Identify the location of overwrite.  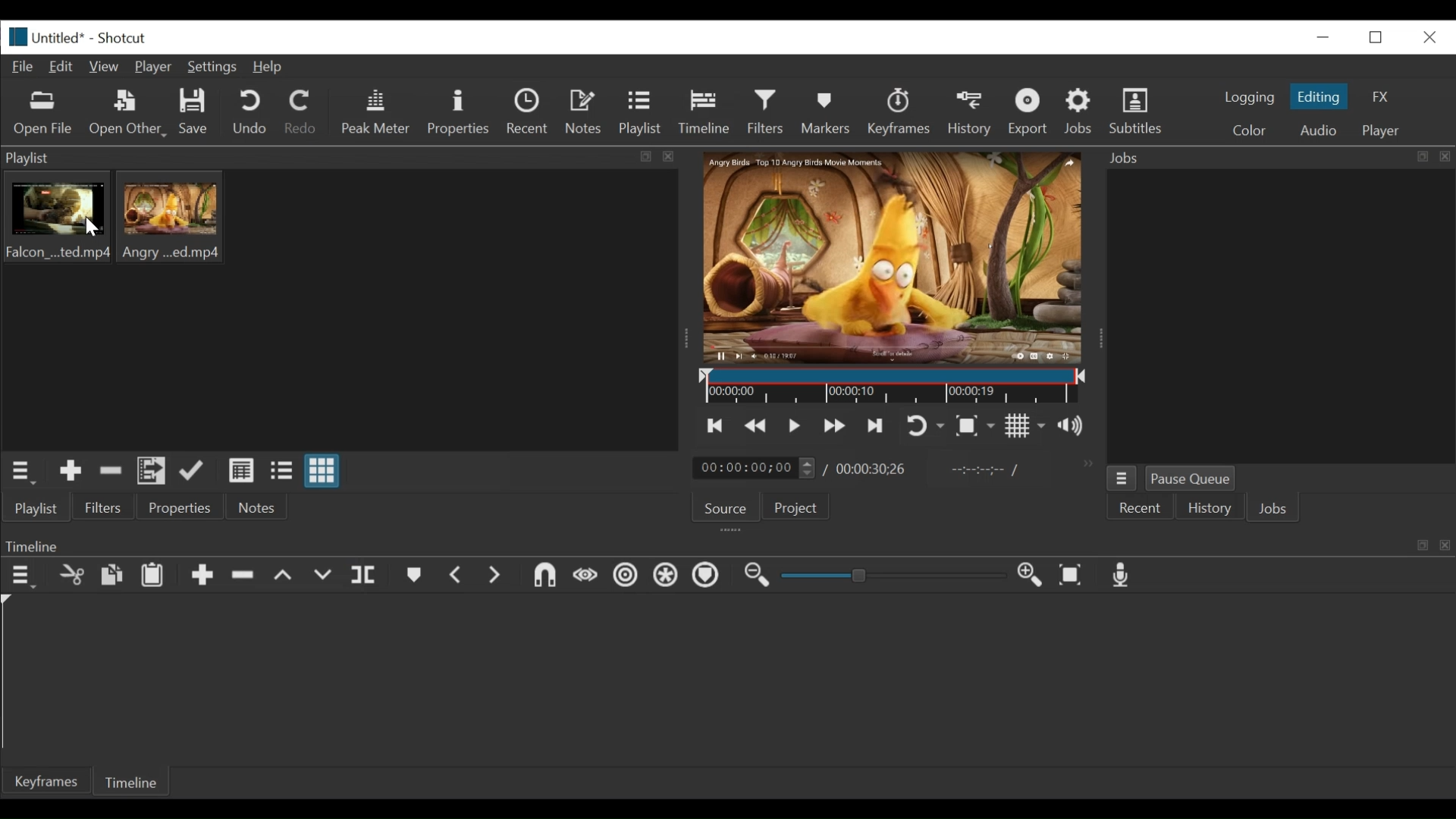
(325, 576).